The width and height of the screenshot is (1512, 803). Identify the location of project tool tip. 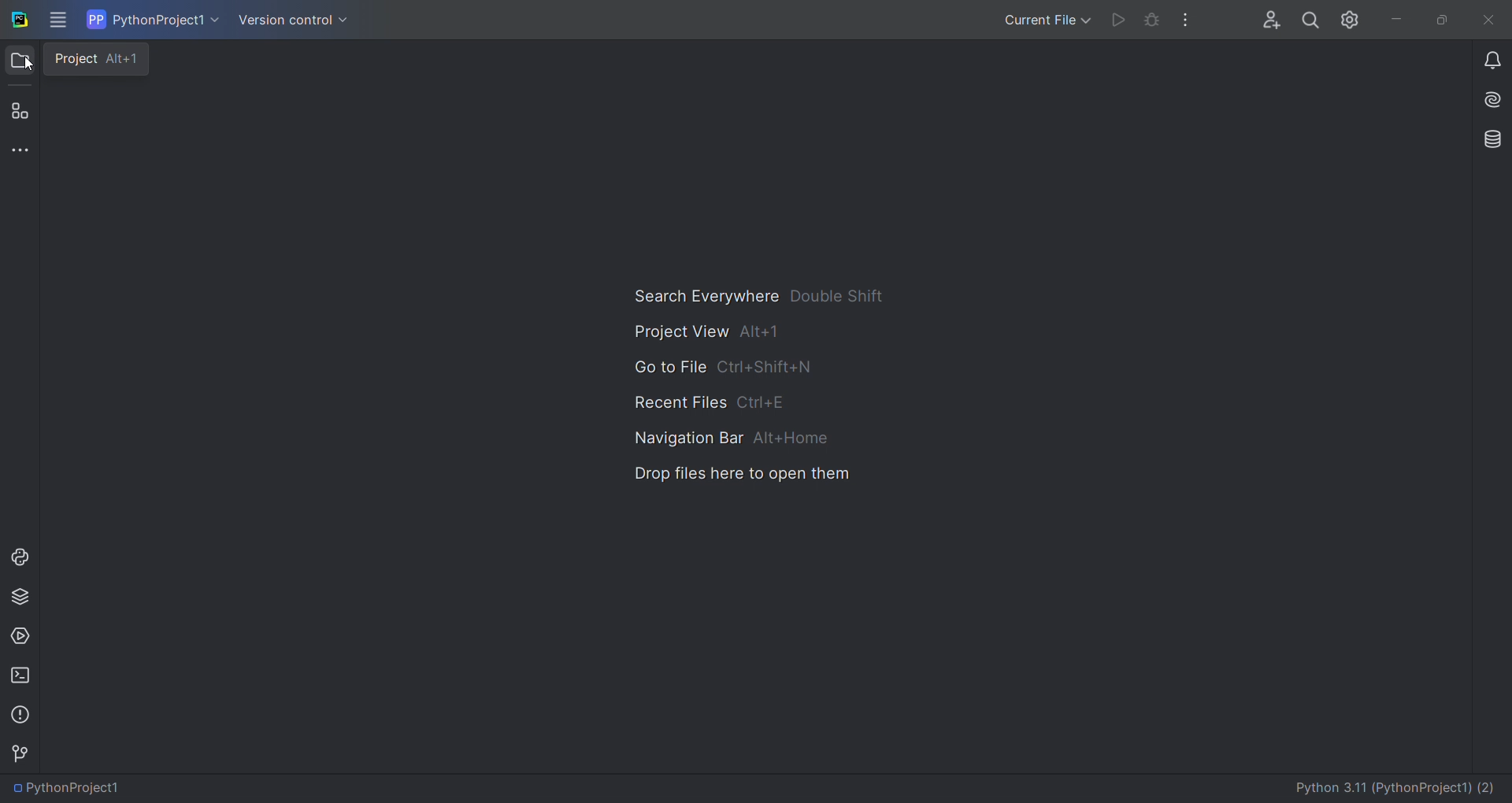
(100, 60).